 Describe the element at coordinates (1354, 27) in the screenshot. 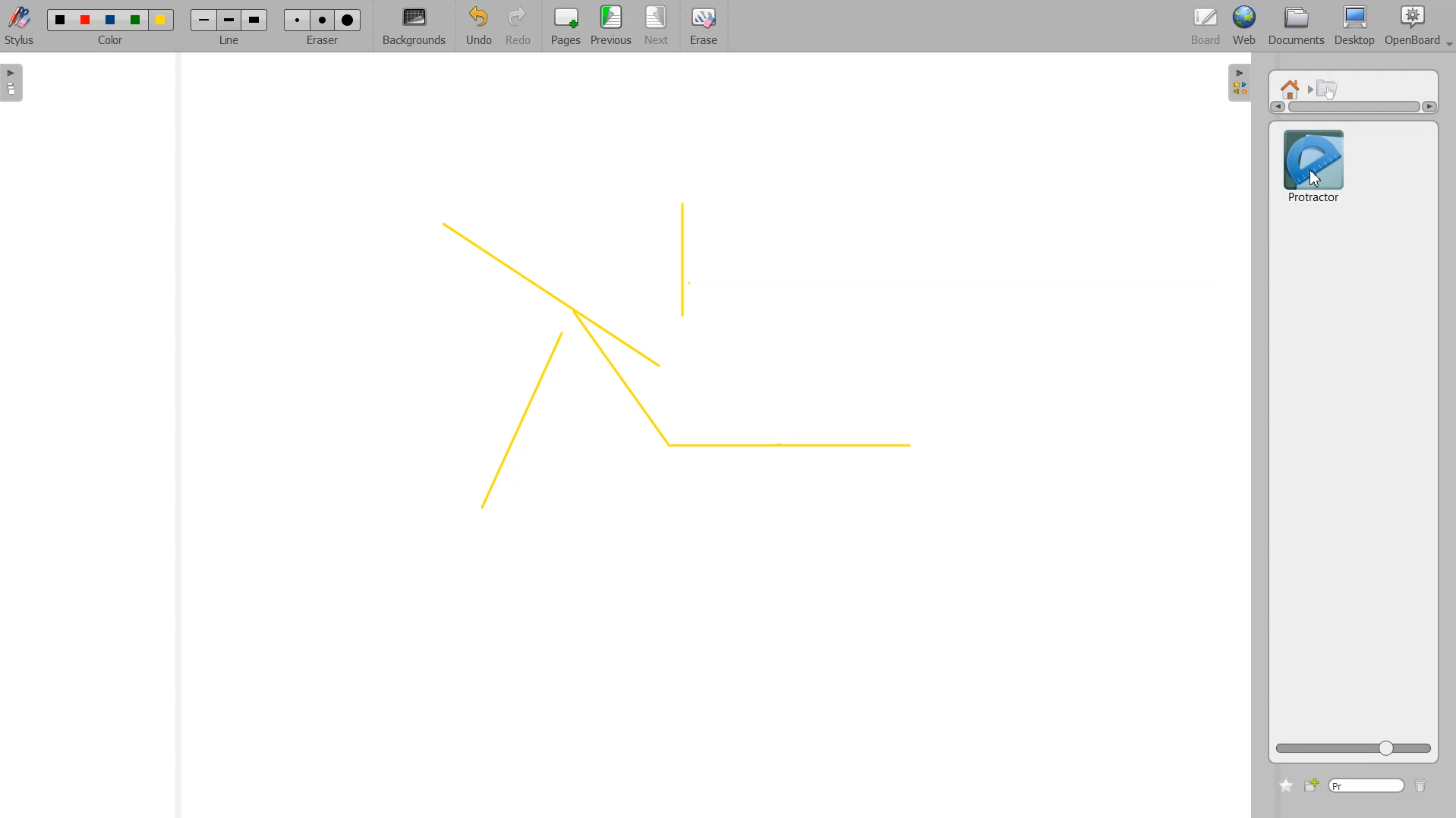

I see `Desktop` at that location.